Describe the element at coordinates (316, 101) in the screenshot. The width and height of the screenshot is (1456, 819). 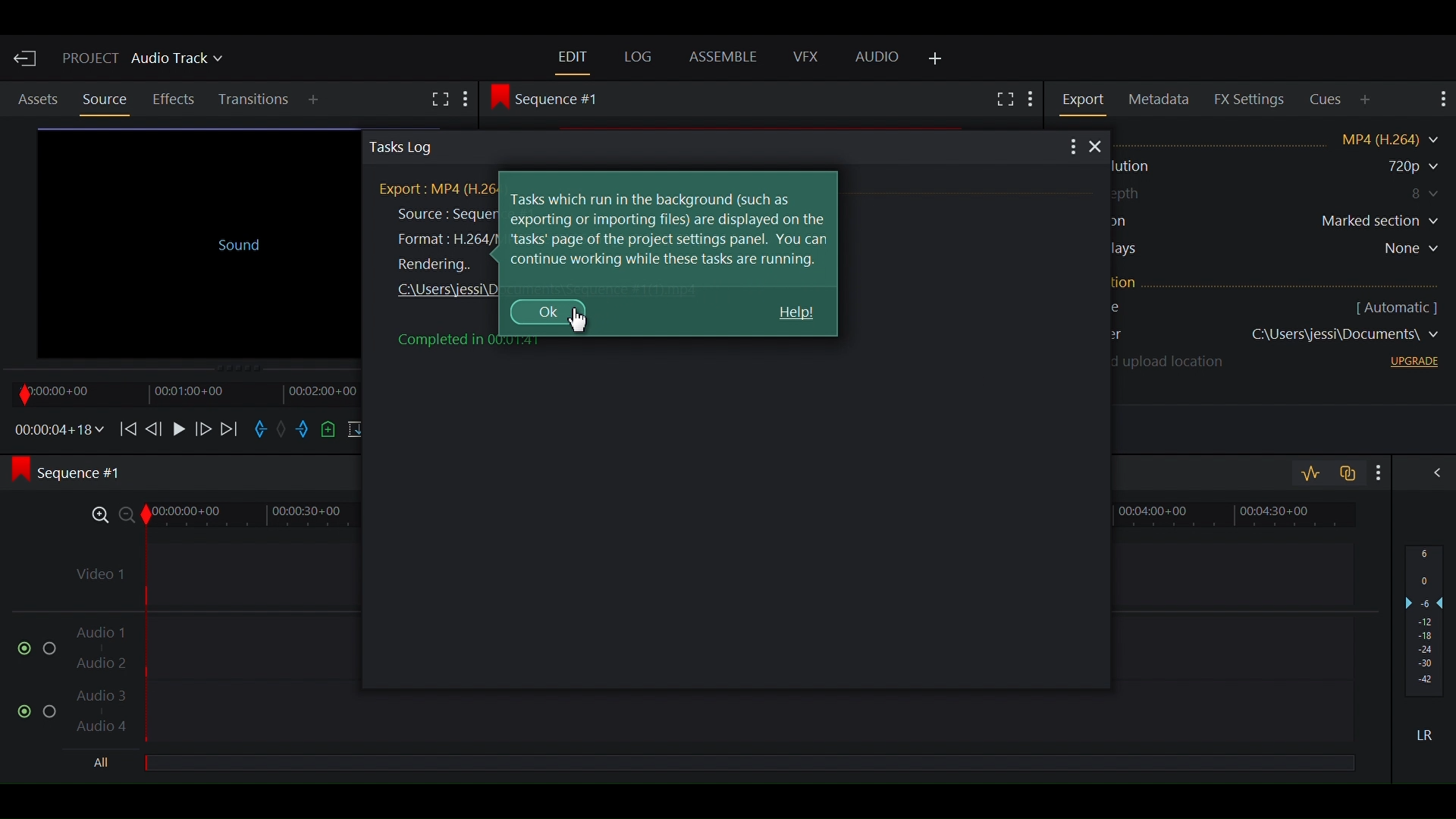
I see `Add Panel` at that location.